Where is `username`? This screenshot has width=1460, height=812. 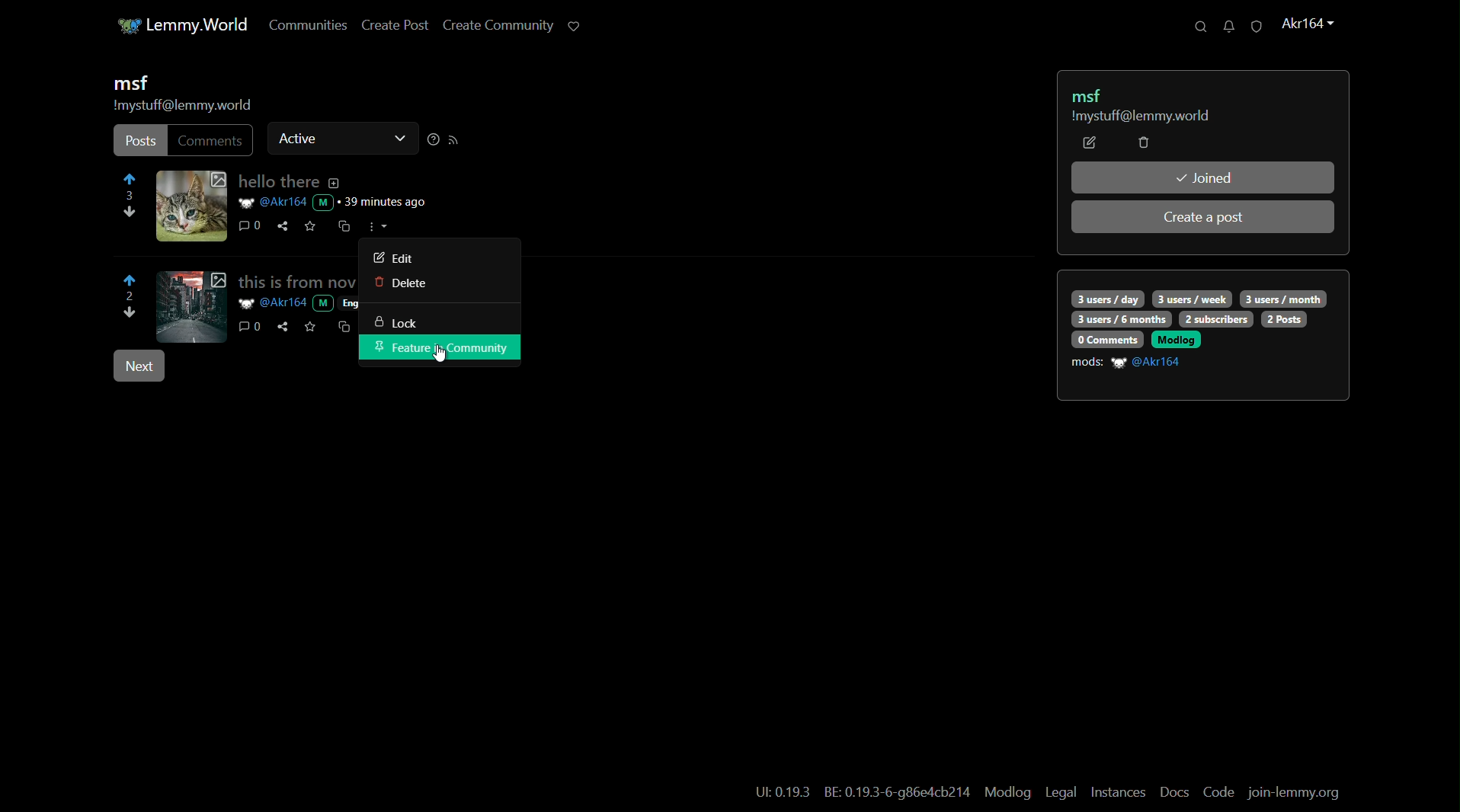 username is located at coordinates (1149, 363).